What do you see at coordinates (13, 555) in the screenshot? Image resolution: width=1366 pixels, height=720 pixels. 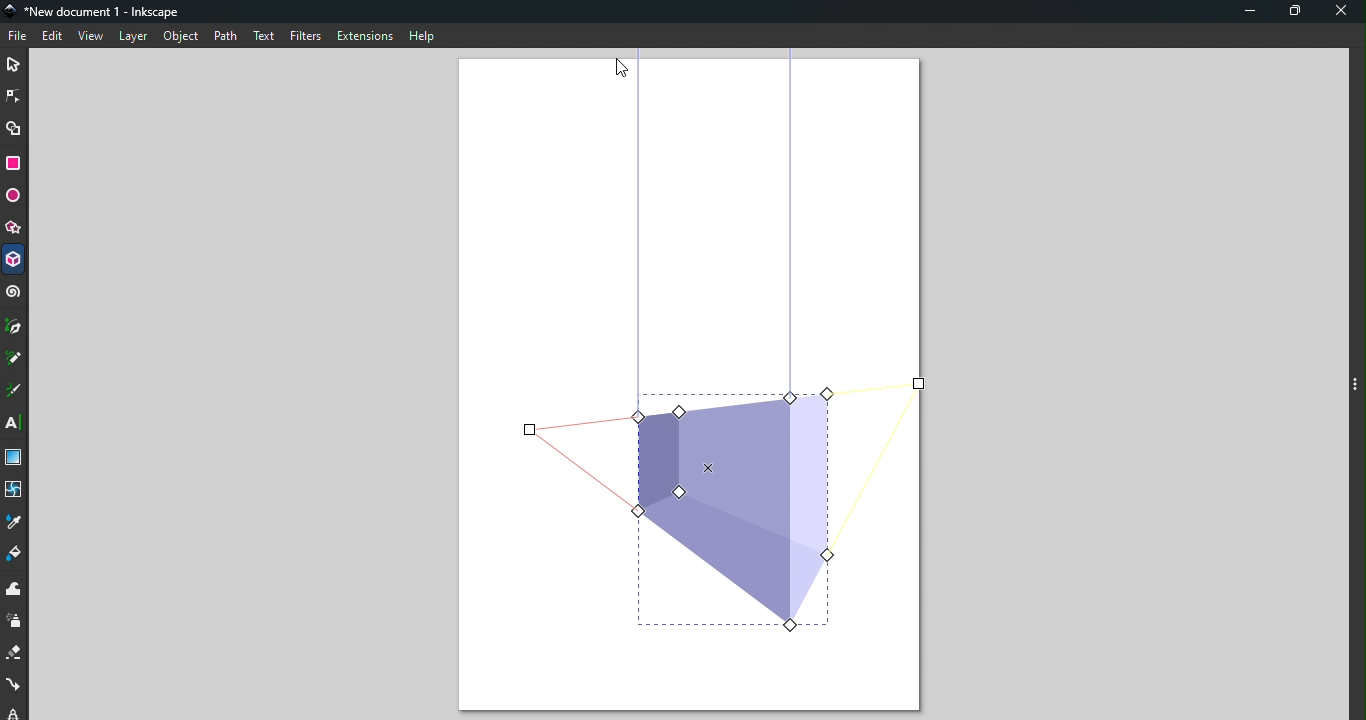 I see `Paint bucket tool` at bounding box center [13, 555].